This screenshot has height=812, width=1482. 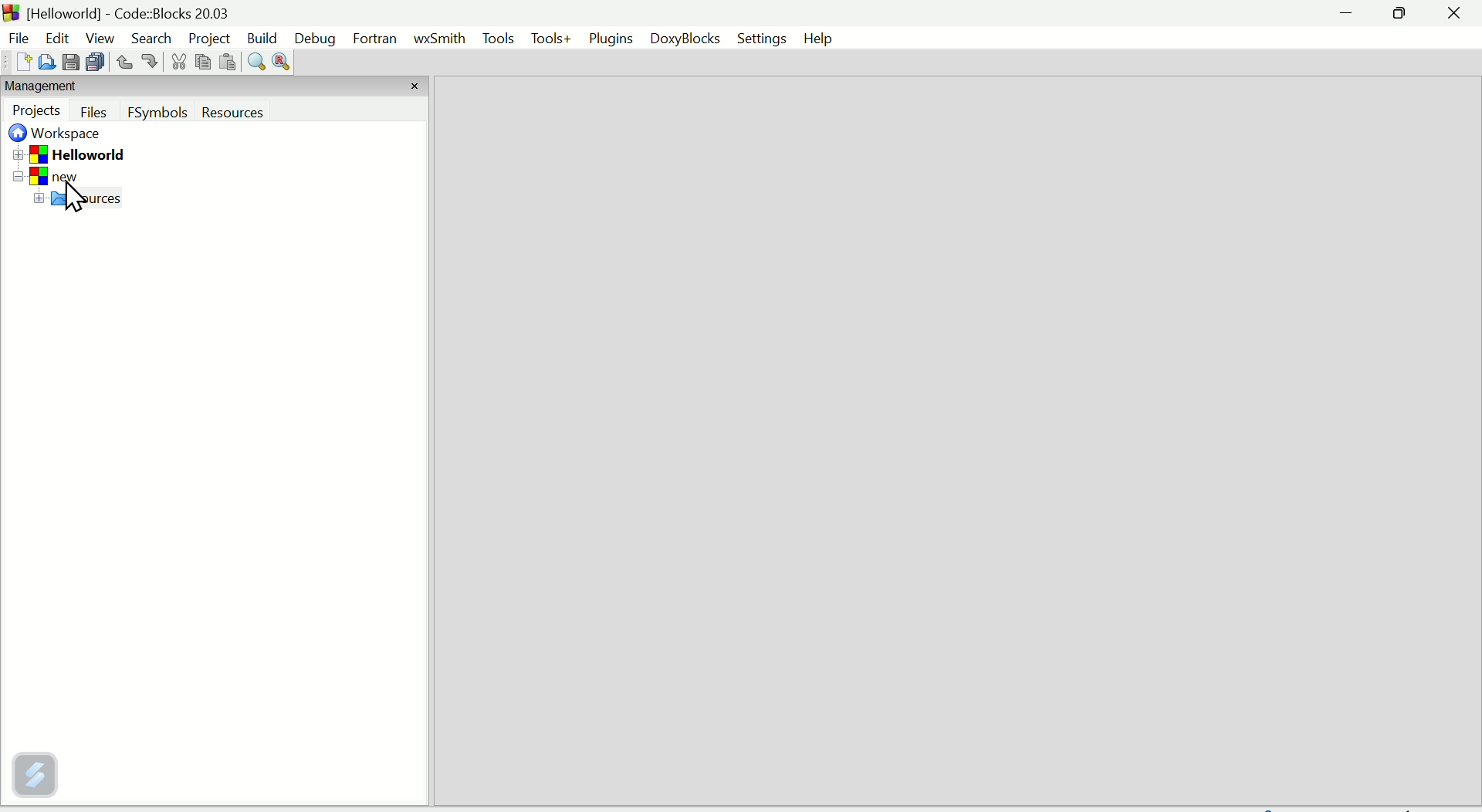 What do you see at coordinates (1402, 14) in the screenshot?
I see `Maximise` at bounding box center [1402, 14].